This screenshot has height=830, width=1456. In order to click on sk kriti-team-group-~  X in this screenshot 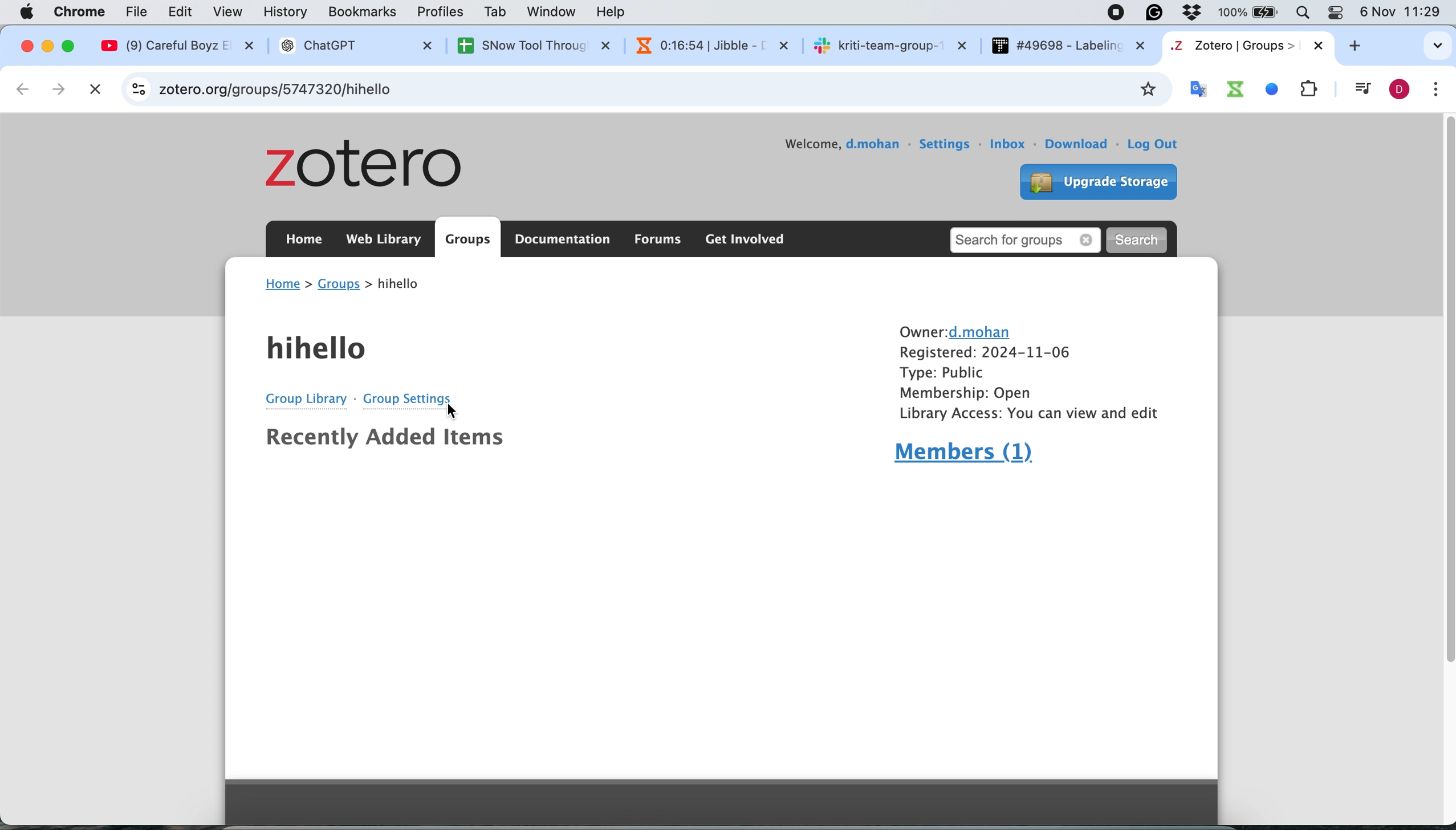, I will do `click(889, 44)`.